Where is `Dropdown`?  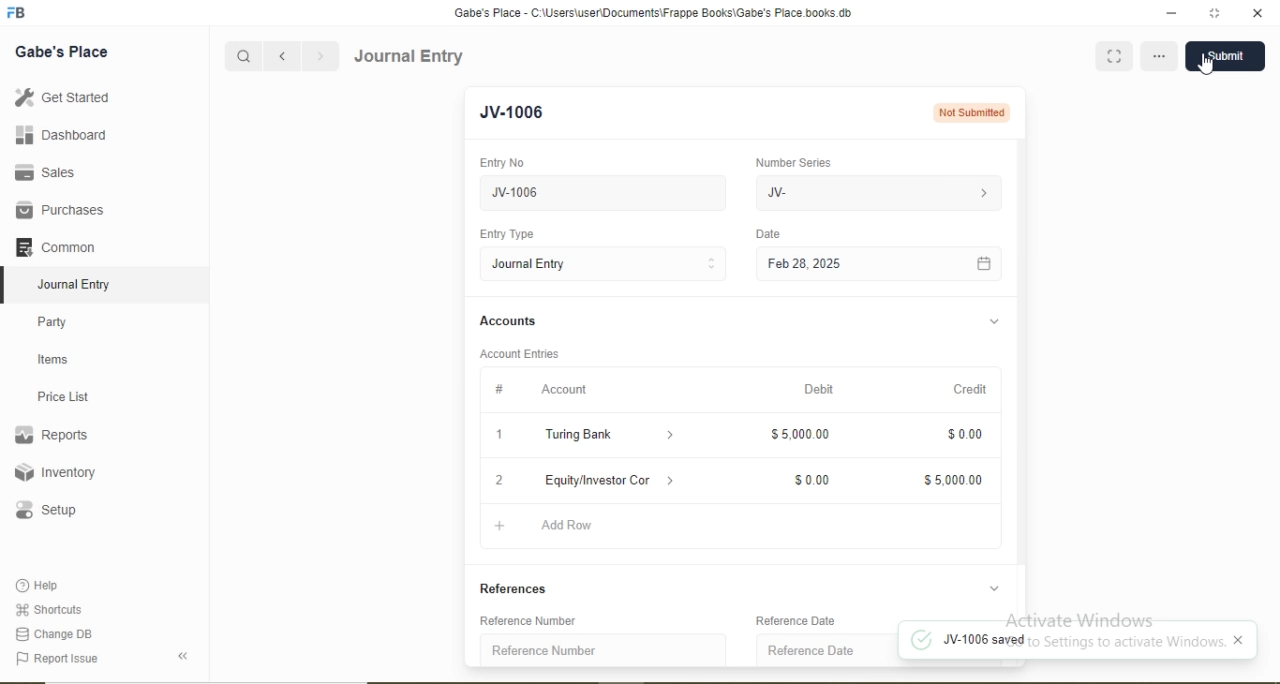 Dropdown is located at coordinates (672, 479).